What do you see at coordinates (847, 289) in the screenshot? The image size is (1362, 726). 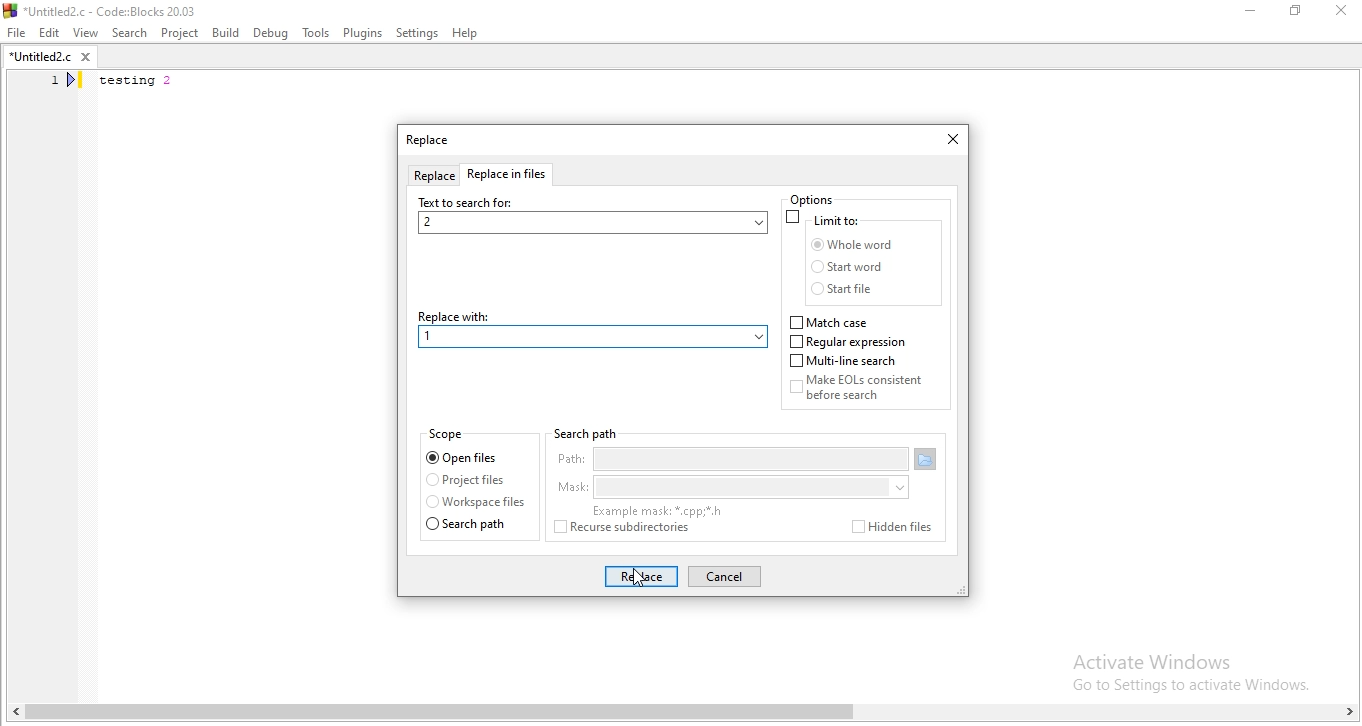 I see `start file` at bounding box center [847, 289].